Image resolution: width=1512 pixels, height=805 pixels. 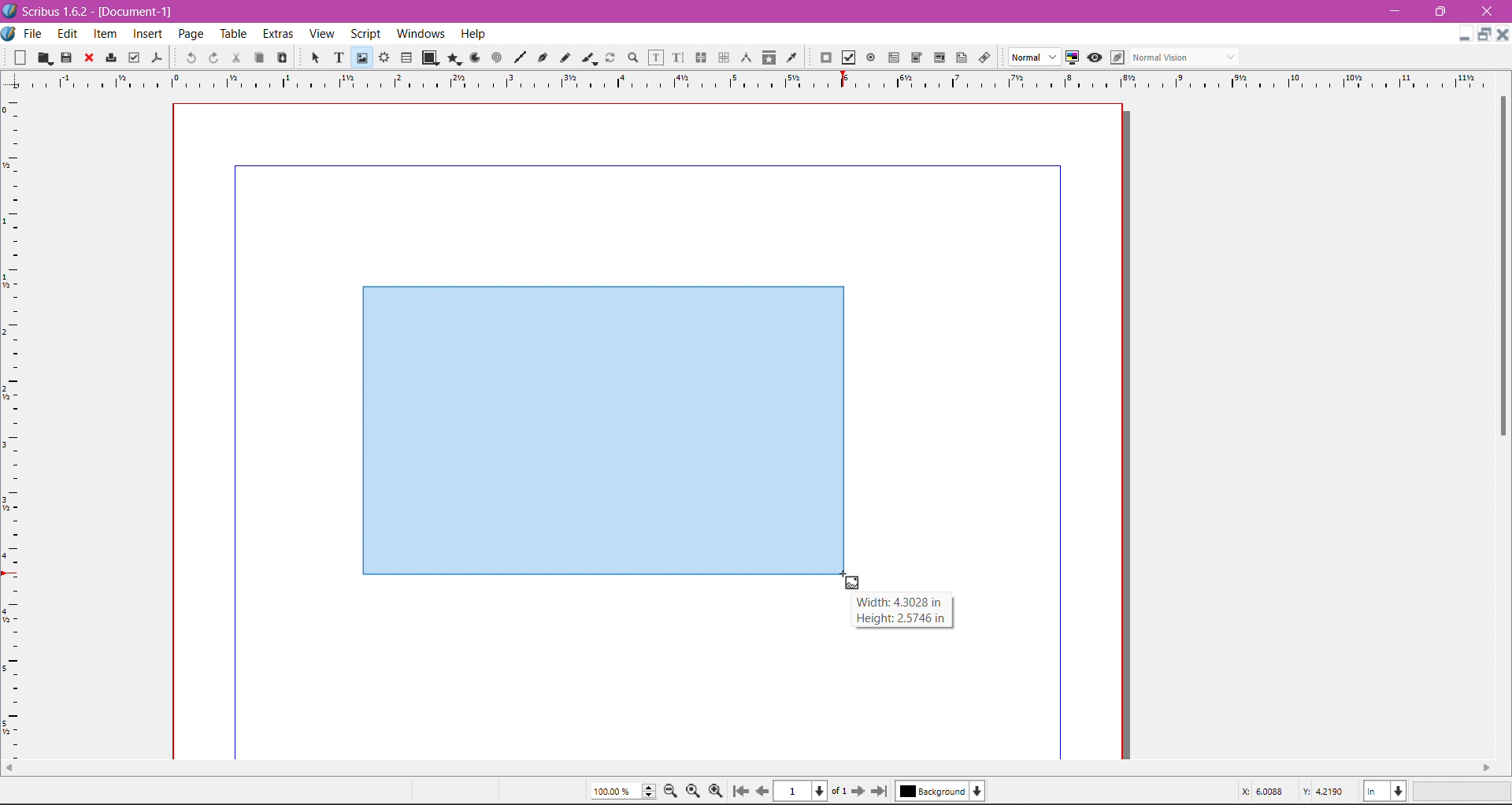 I want to click on Undo, so click(x=191, y=57).